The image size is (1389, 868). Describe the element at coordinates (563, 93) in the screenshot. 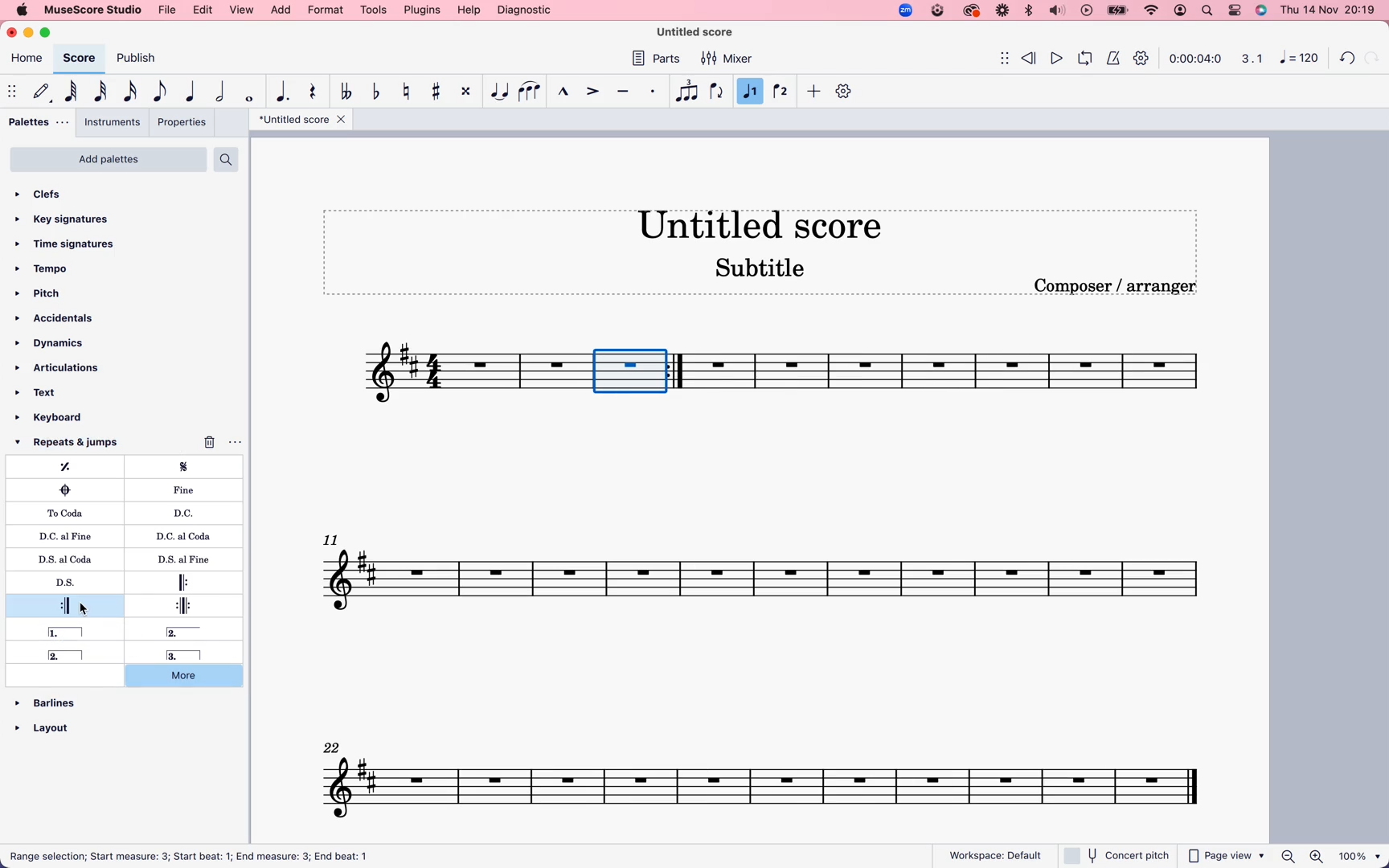

I see `marcato` at that location.